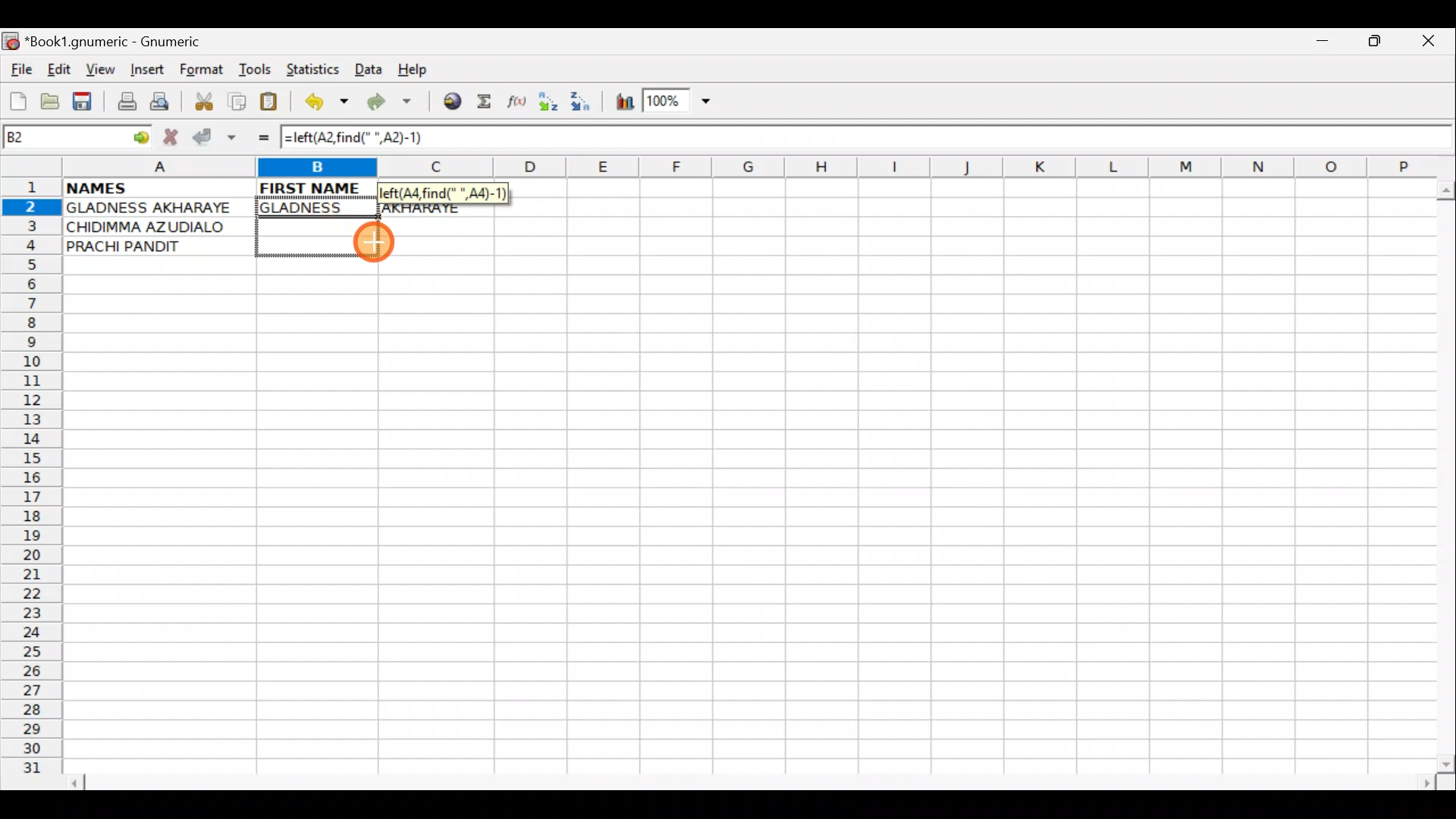  What do you see at coordinates (238, 101) in the screenshot?
I see `Copy selection` at bounding box center [238, 101].